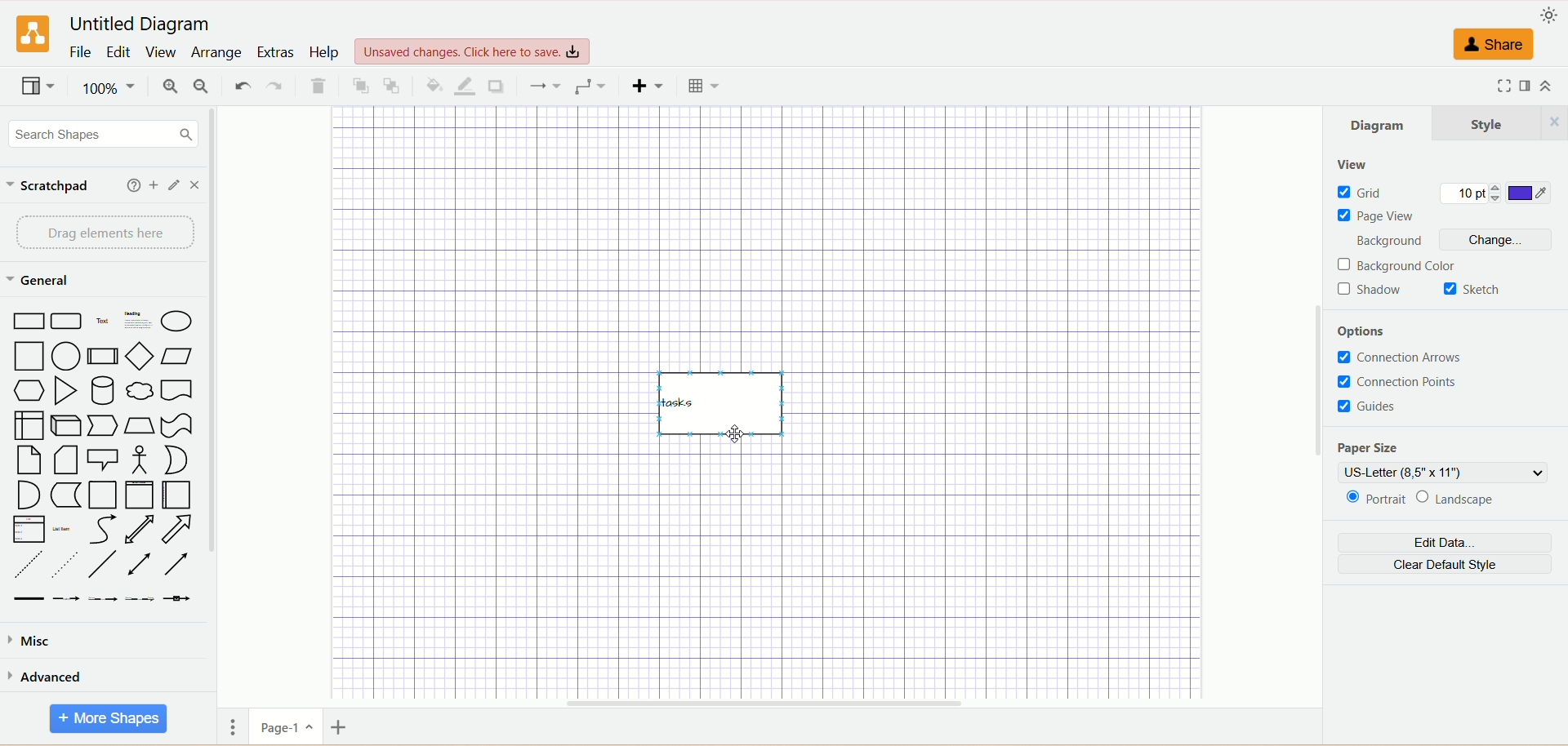 Image resolution: width=1568 pixels, height=746 pixels. Describe the element at coordinates (141, 426) in the screenshot. I see `Trapezoid` at that location.